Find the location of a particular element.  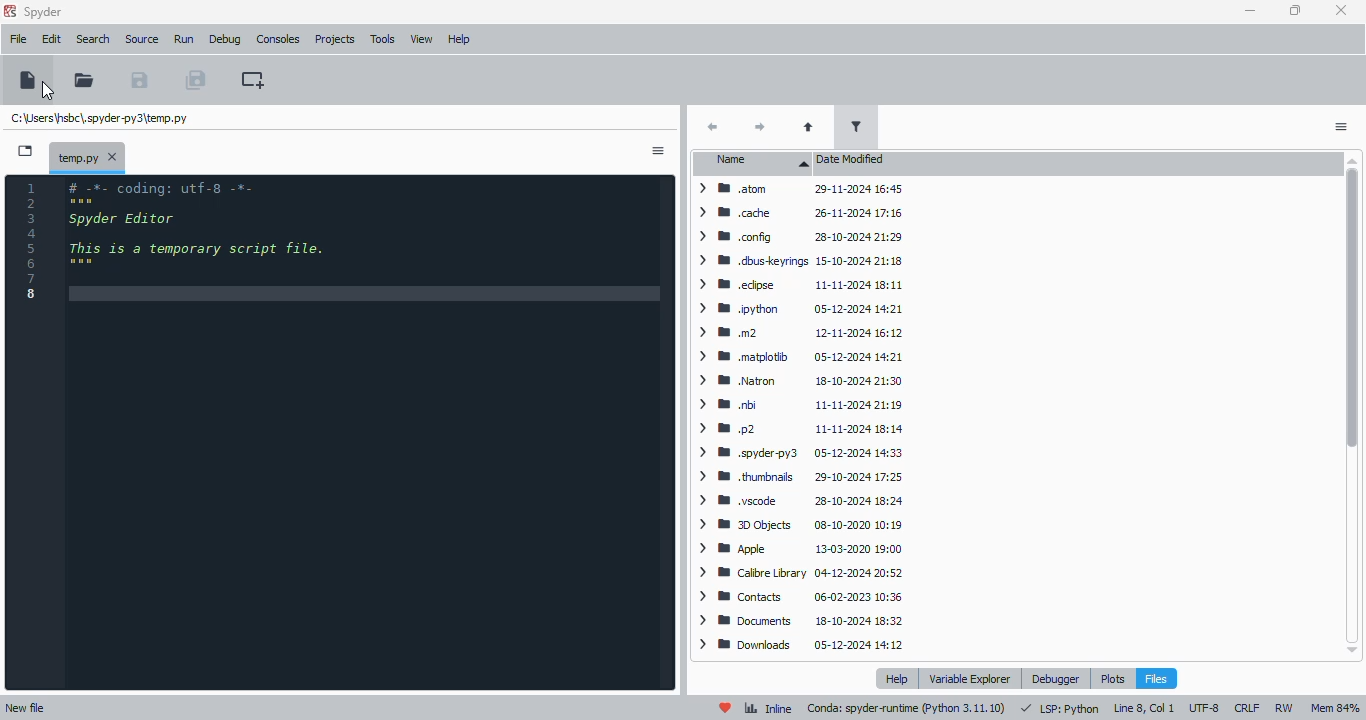

> WB 3DObjects 08-10-2020 10:19 is located at coordinates (797, 525).